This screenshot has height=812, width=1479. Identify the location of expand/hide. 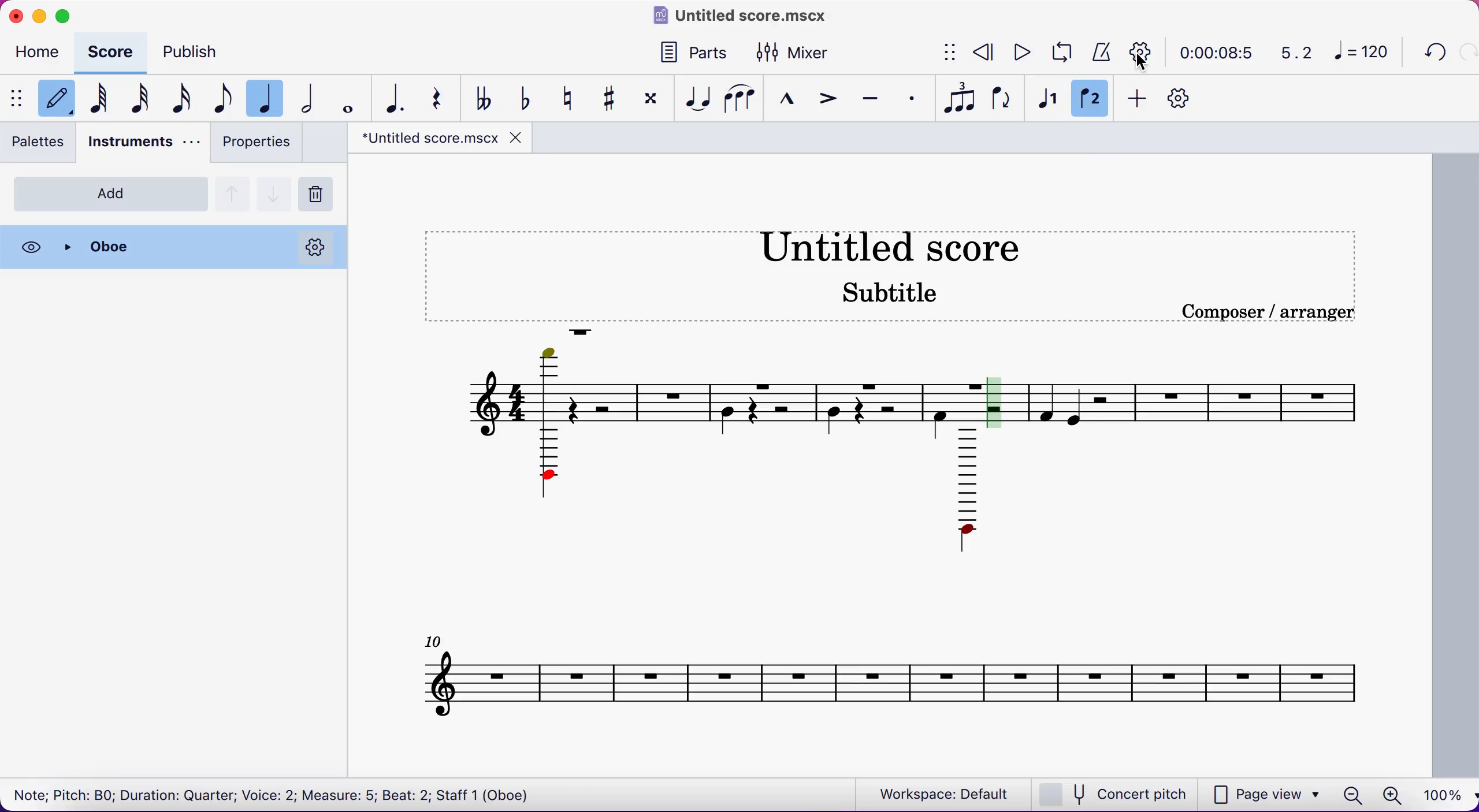
(952, 53).